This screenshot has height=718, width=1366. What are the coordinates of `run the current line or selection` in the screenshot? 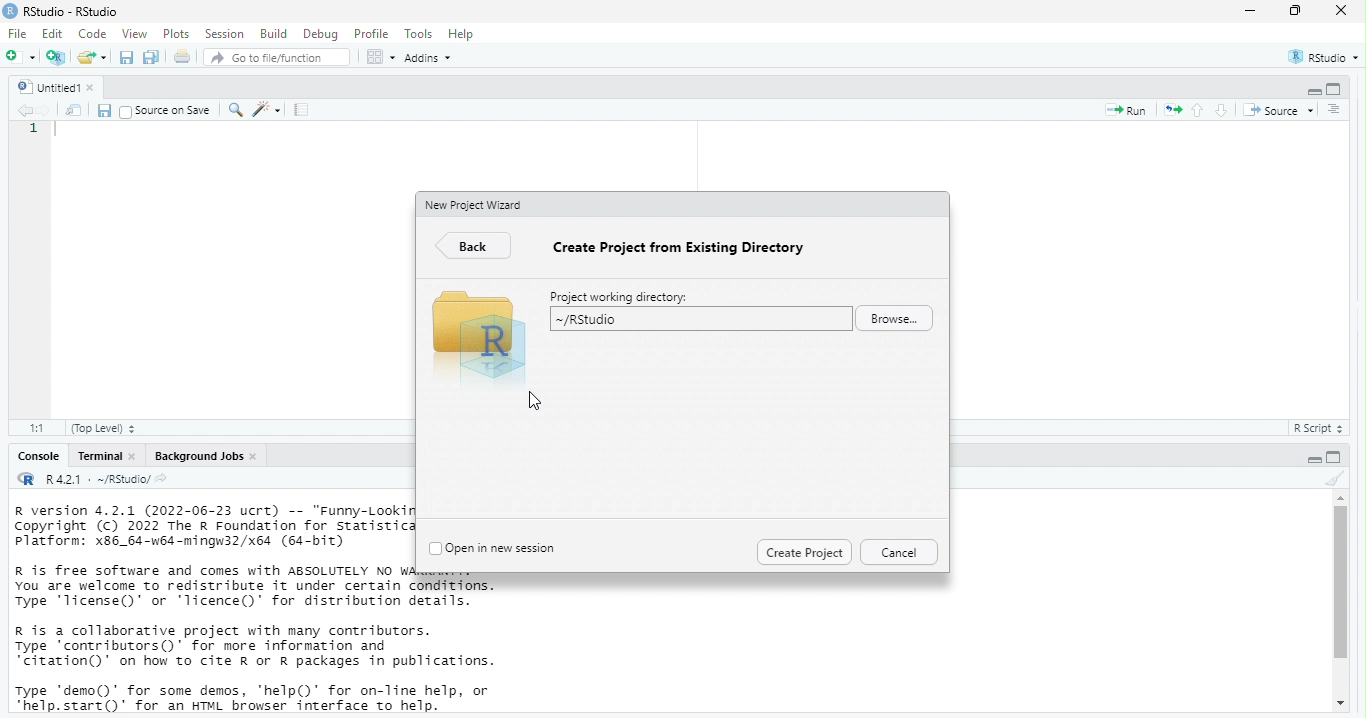 It's located at (1128, 111).